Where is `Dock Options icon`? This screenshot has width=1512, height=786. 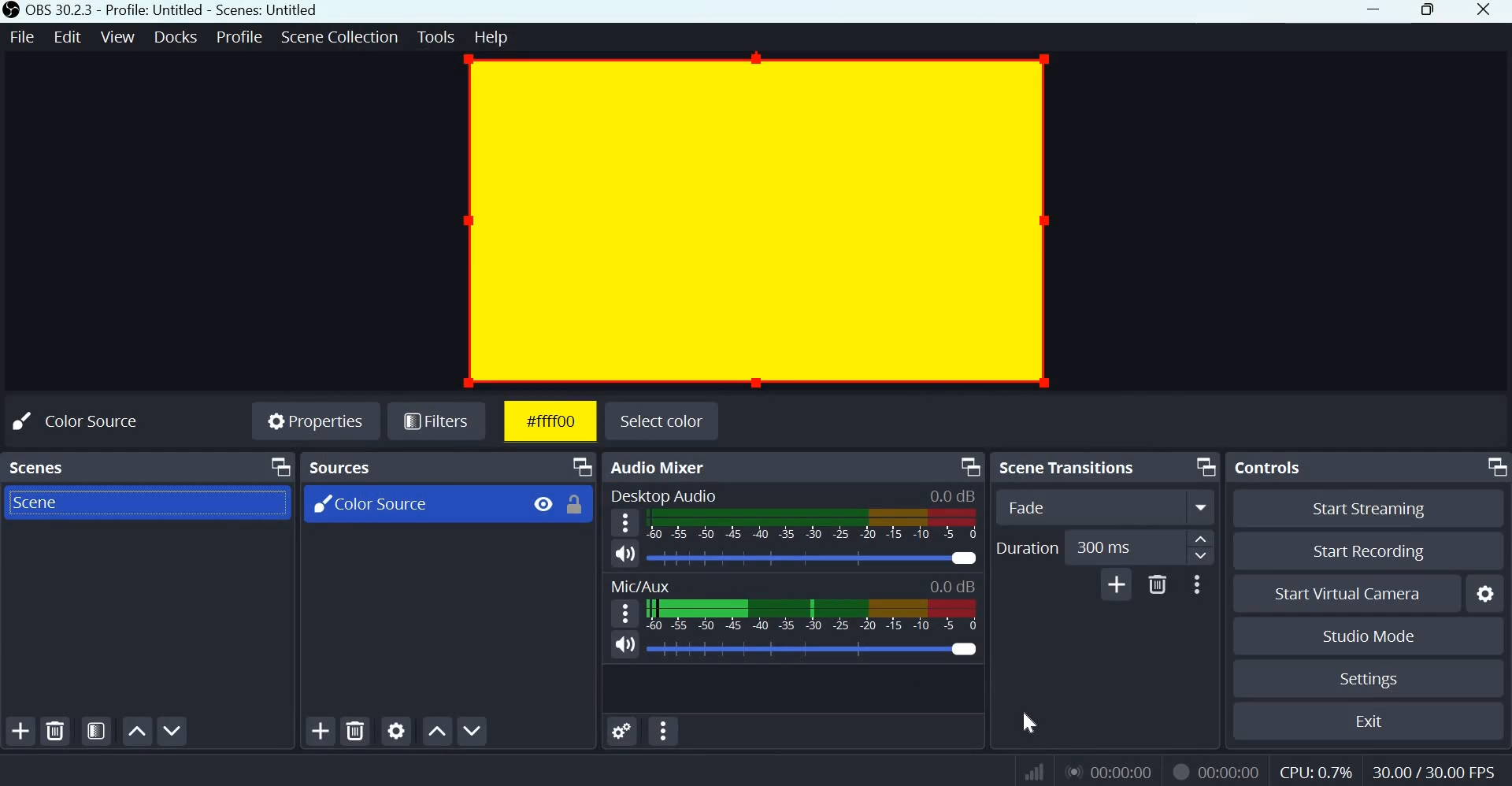
Dock Options icon is located at coordinates (1202, 466).